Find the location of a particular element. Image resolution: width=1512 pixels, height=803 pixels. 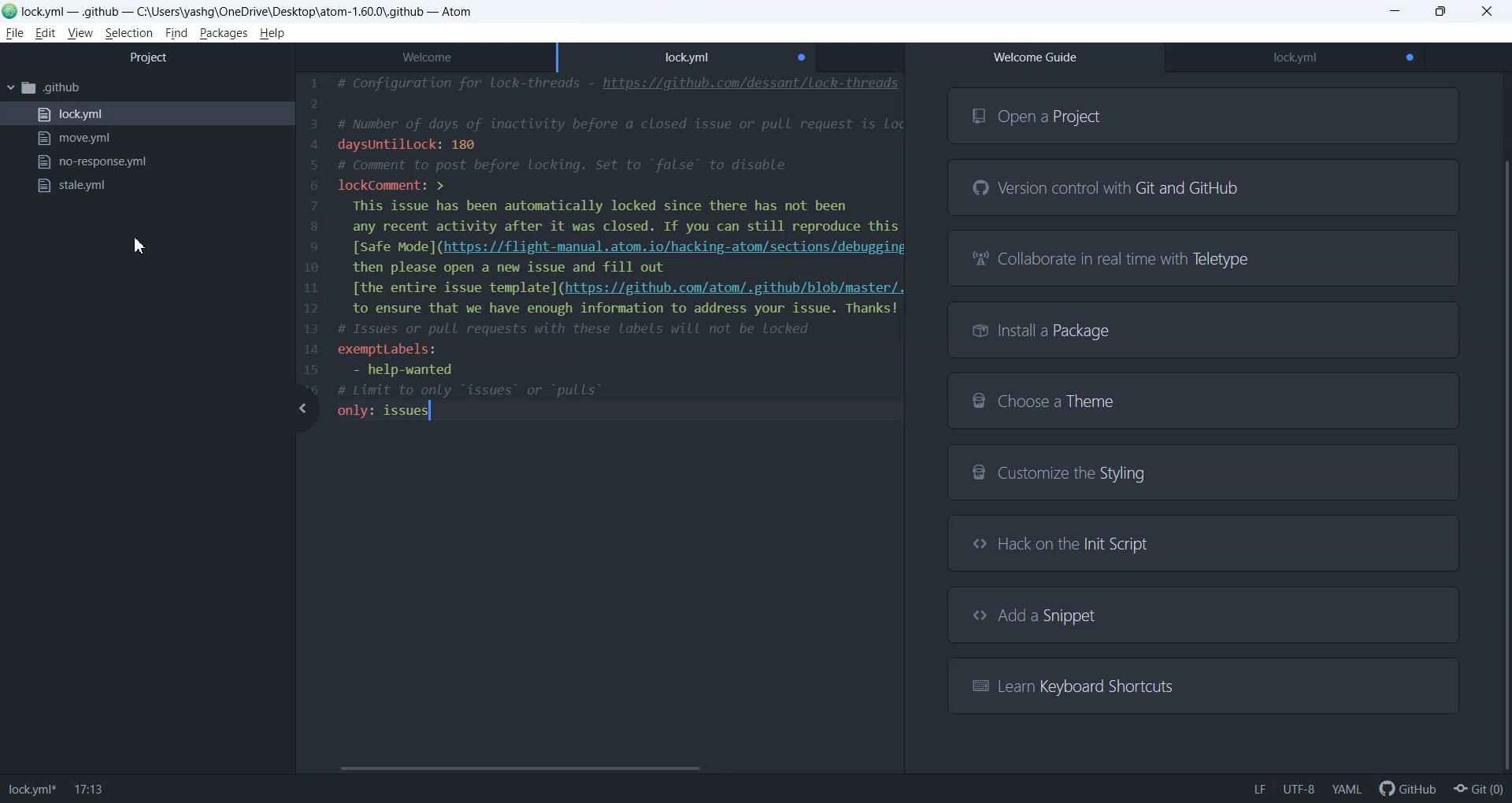

Open a Project is located at coordinates (1204, 115).